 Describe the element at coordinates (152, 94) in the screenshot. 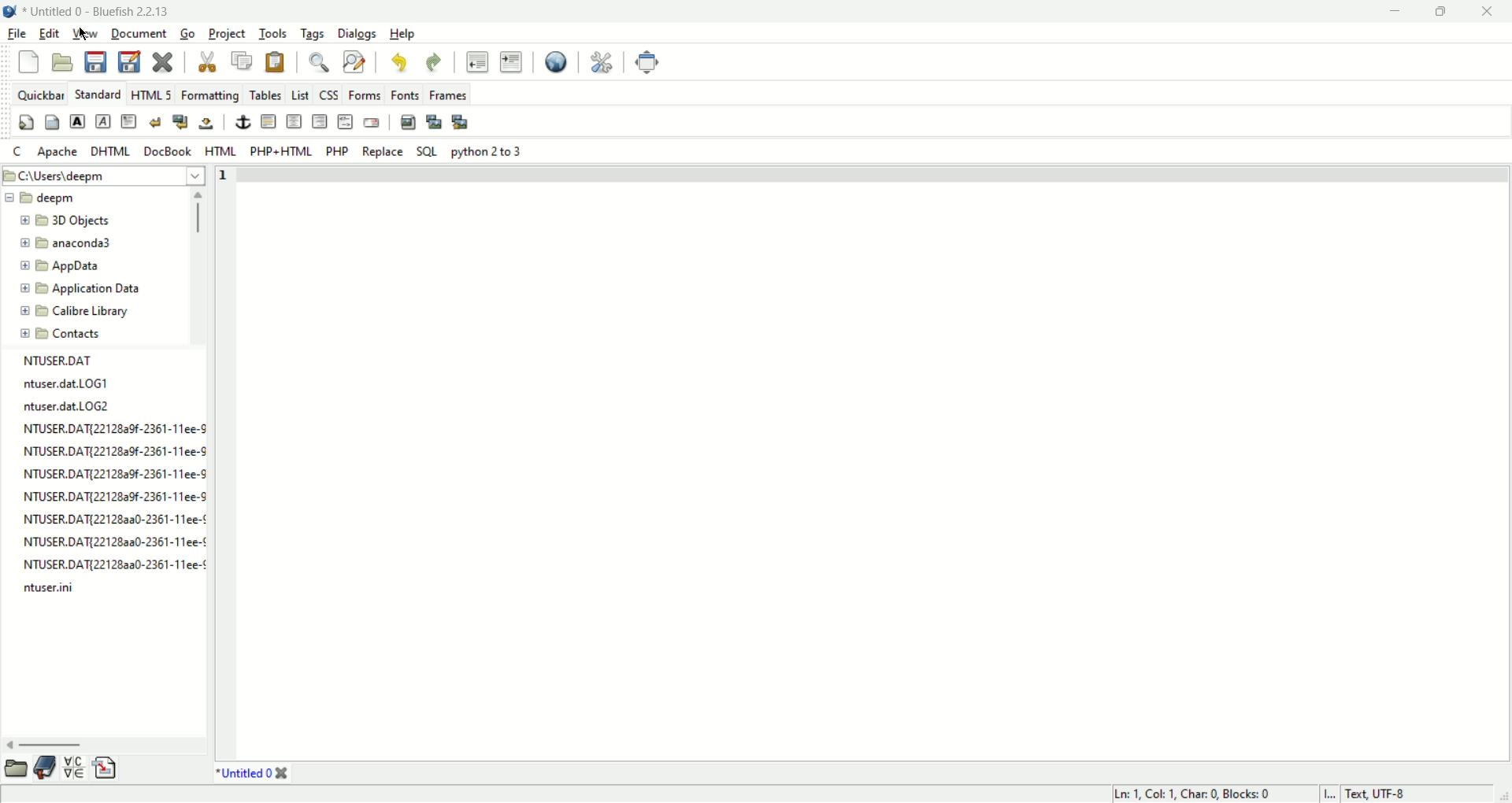

I see `HTML 5` at that location.